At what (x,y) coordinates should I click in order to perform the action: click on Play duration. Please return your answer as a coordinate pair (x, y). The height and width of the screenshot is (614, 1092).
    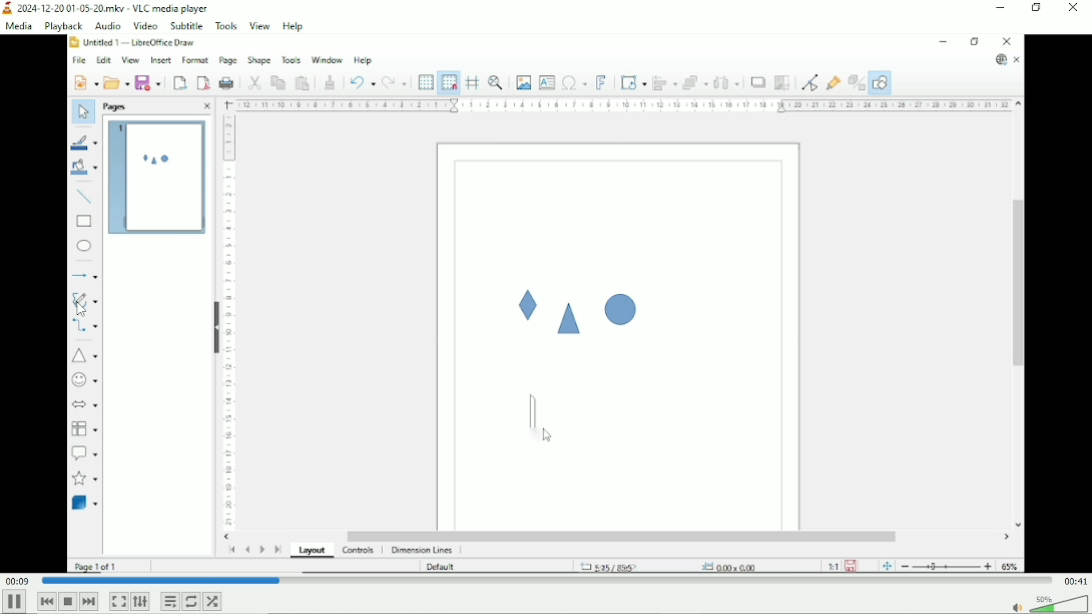
    Looking at the image, I should click on (546, 581).